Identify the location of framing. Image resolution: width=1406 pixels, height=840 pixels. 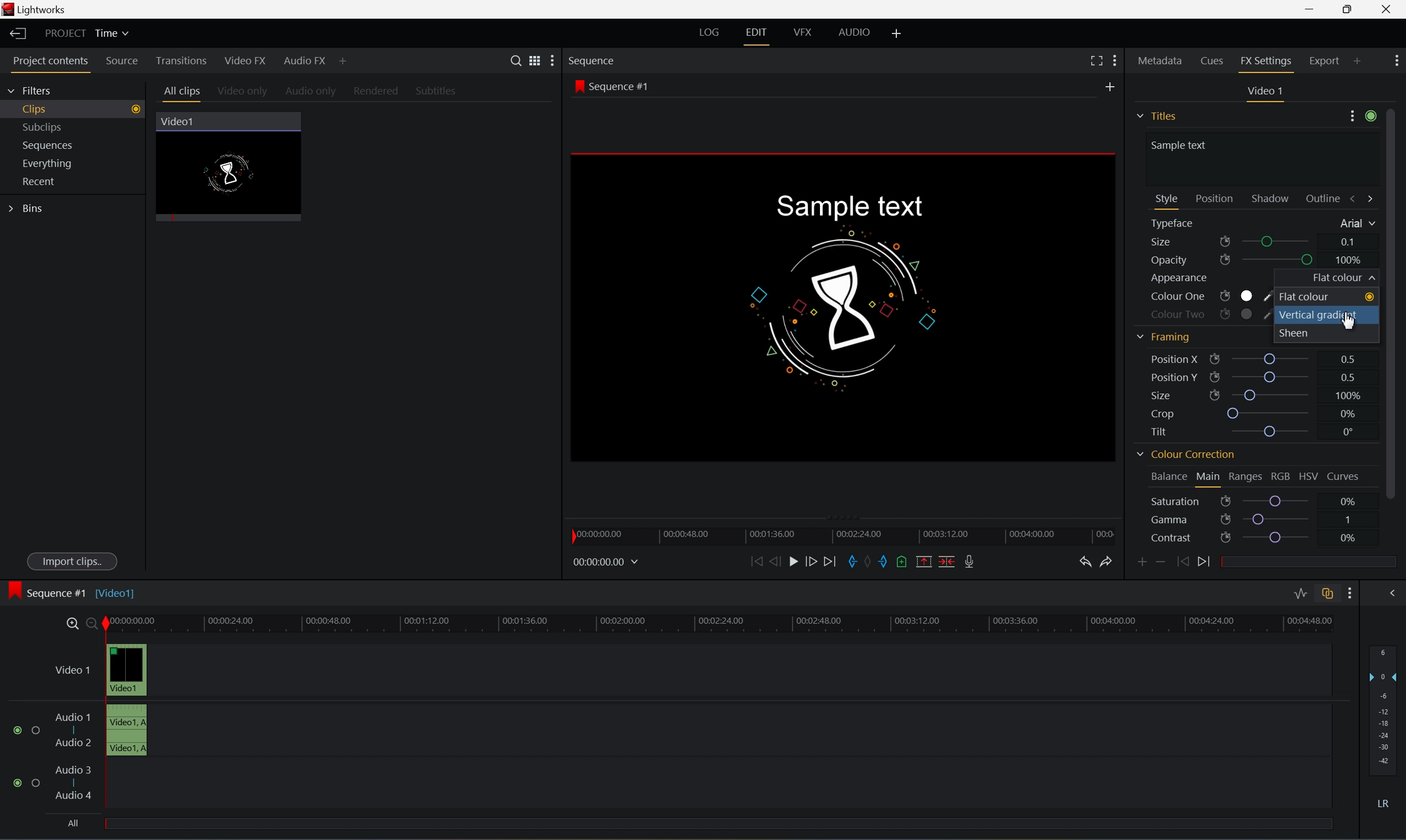
(1163, 337).